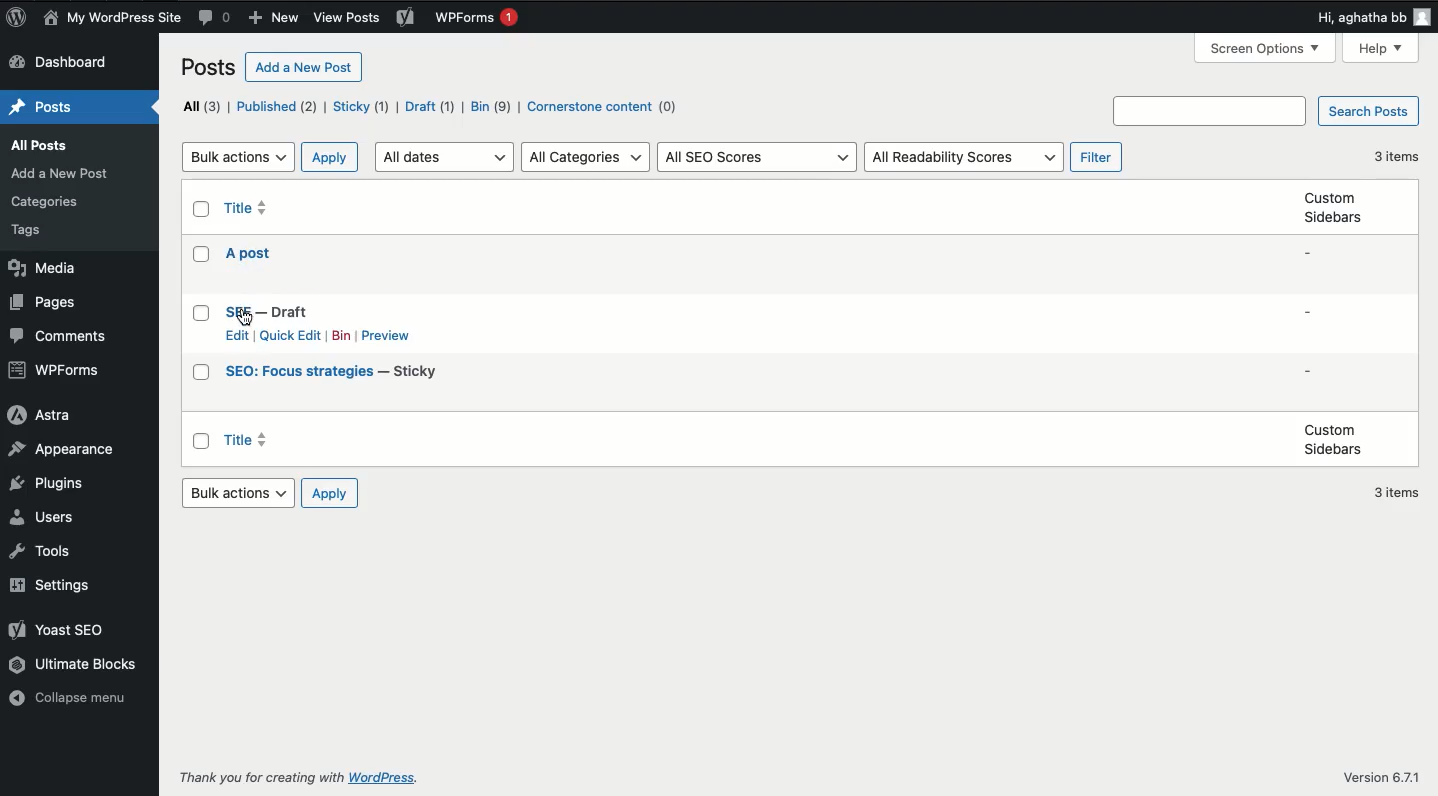 This screenshot has width=1438, height=796. Describe the element at coordinates (72, 665) in the screenshot. I see `Ultimate blocks` at that location.